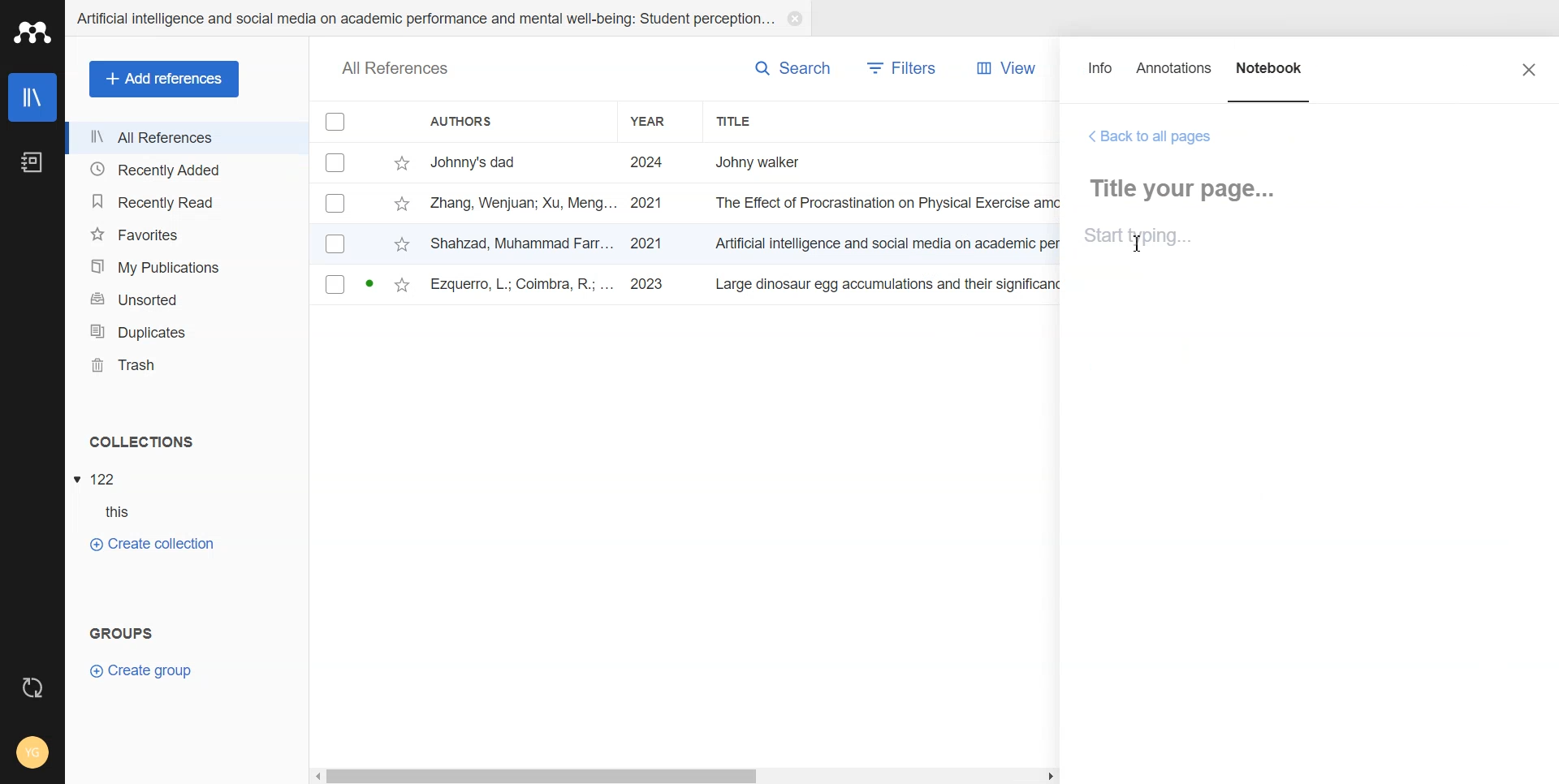  What do you see at coordinates (34, 97) in the screenshot?
I see `Library` at bounding box center [34, 97].